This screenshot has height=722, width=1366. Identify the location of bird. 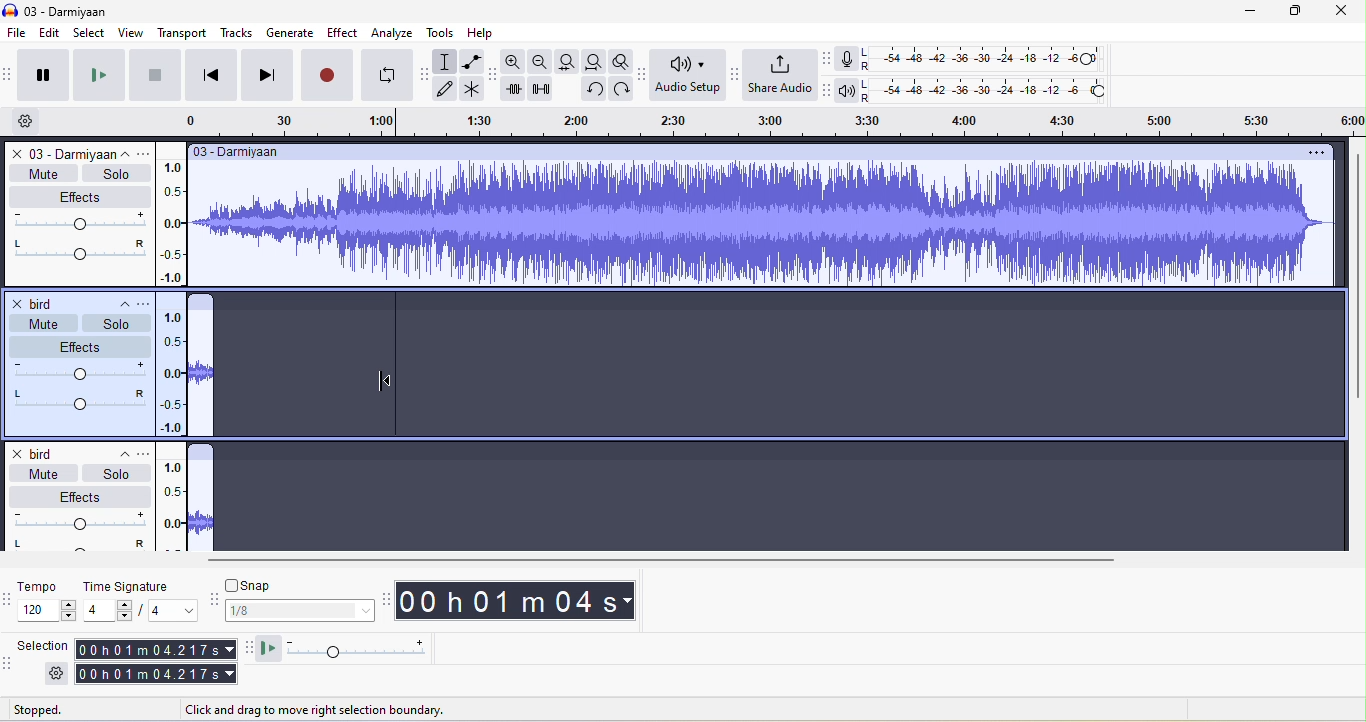
(43, 451).